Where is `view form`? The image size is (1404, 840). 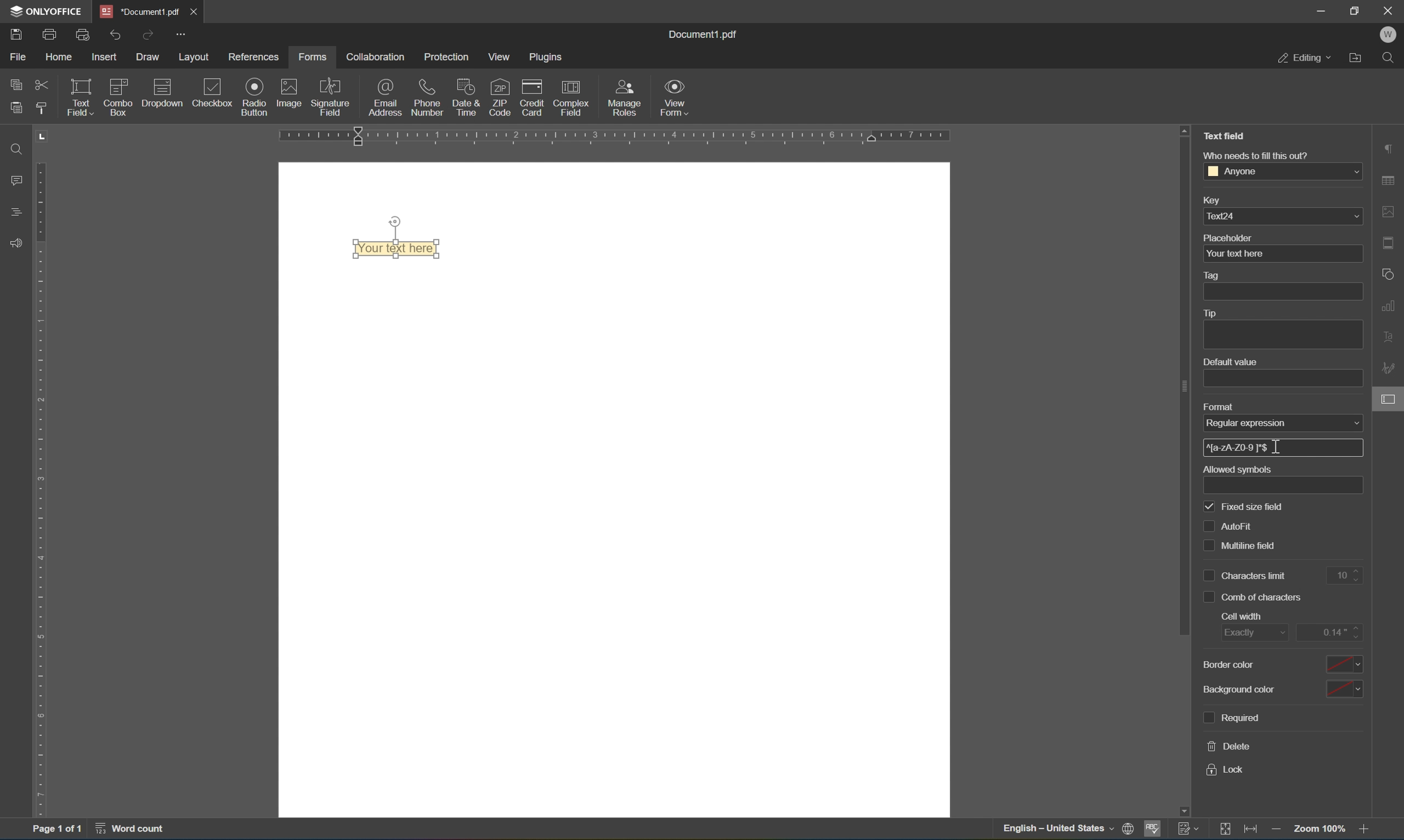
view form is located at coordinates (675, 97).